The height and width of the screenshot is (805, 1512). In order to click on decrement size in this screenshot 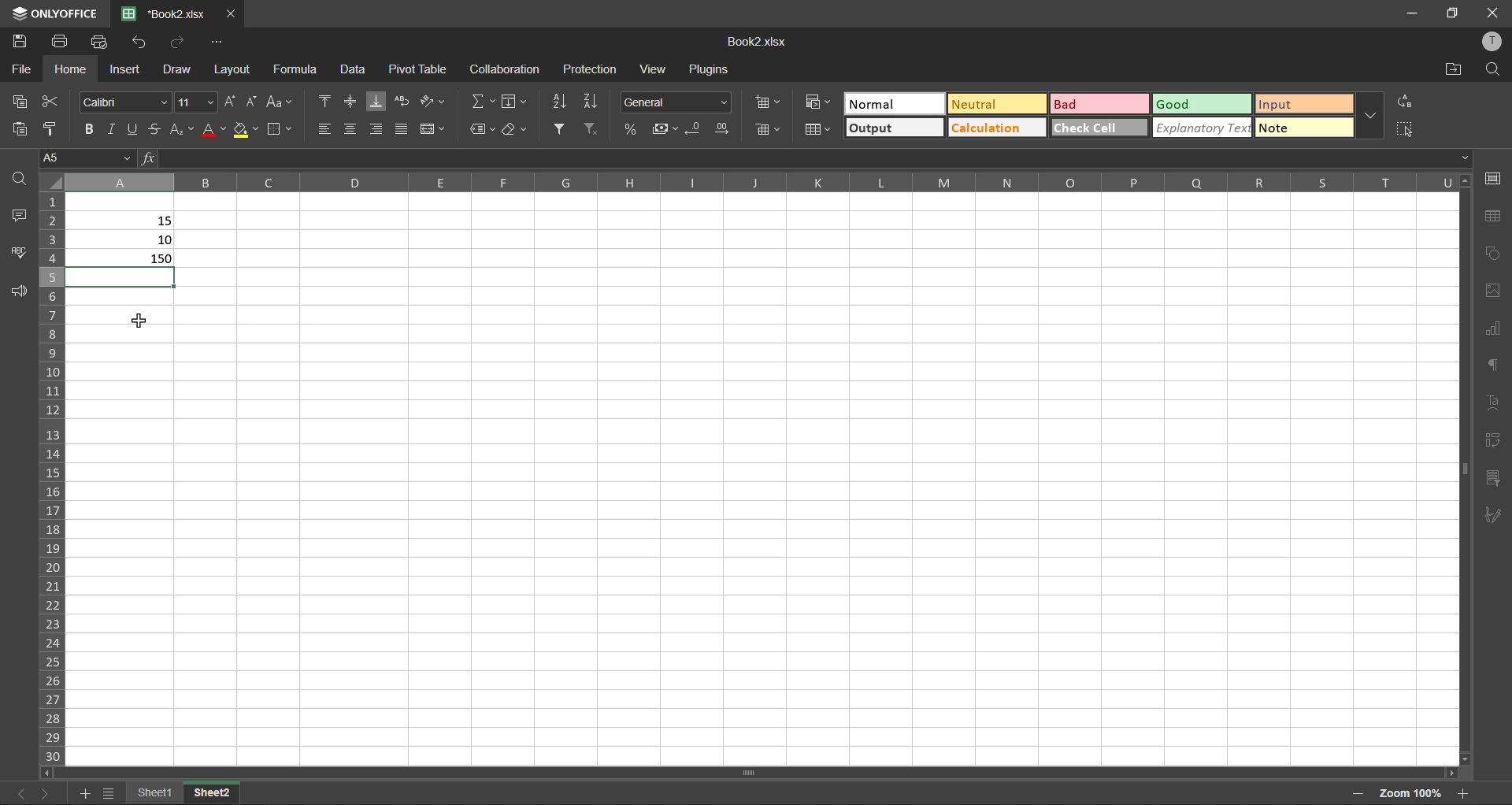, I will do `click(252, 100)`.